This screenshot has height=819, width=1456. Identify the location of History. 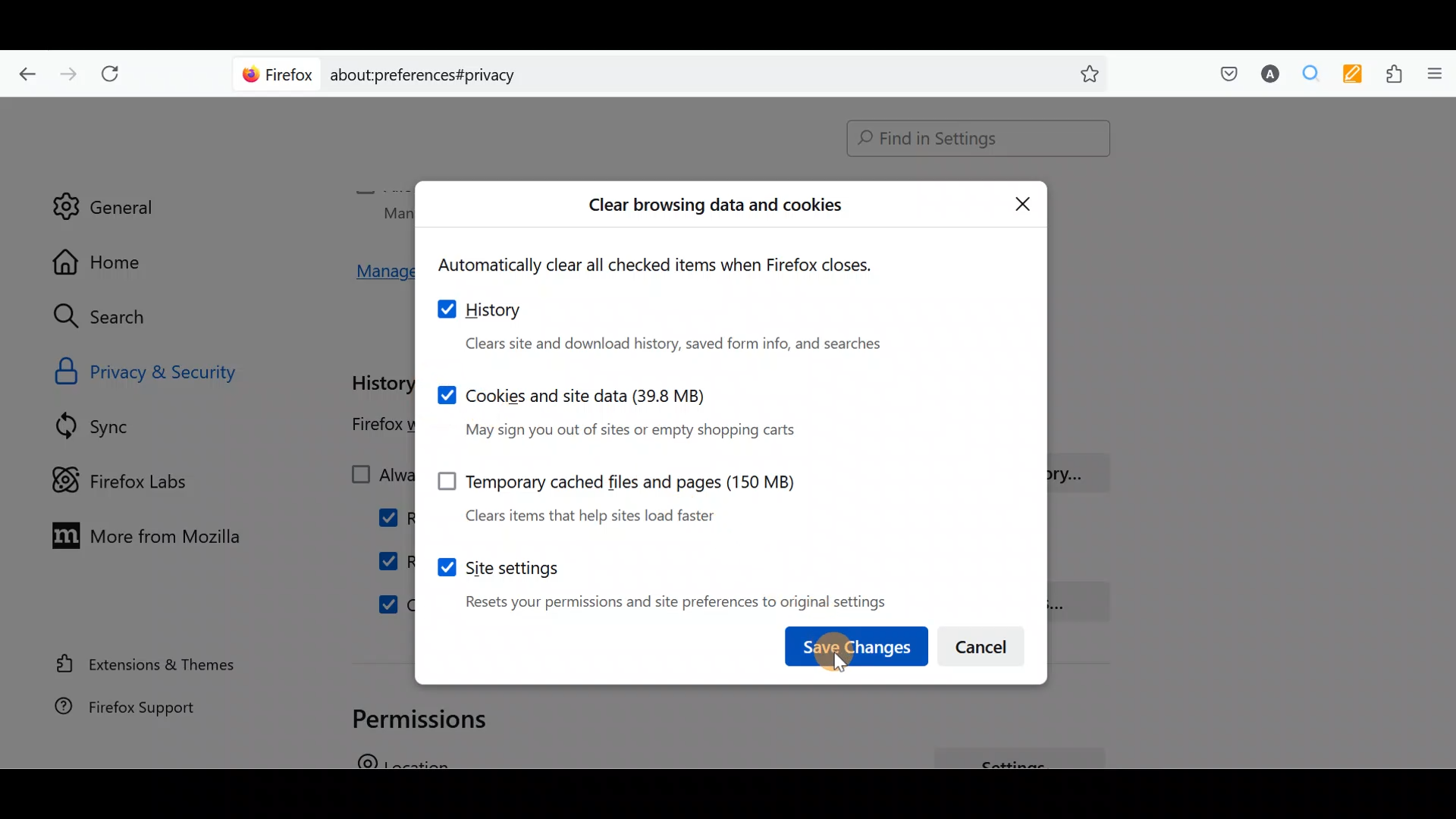
(673, 325).